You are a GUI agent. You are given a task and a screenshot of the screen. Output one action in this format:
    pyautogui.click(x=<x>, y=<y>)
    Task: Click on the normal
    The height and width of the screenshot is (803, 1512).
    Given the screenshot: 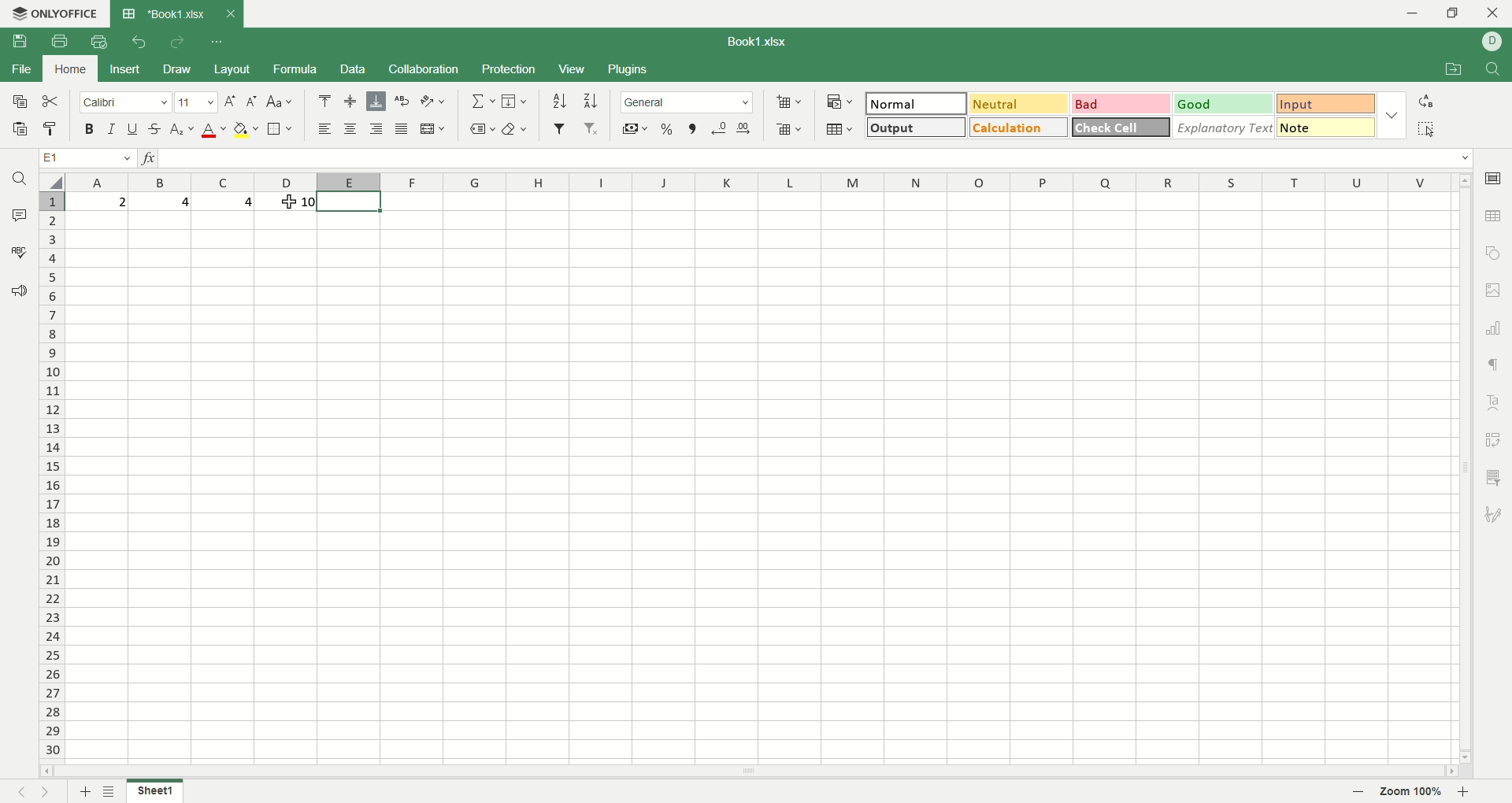 What is the action you would take?
    pyautogui.click(x=919, y=102)
    